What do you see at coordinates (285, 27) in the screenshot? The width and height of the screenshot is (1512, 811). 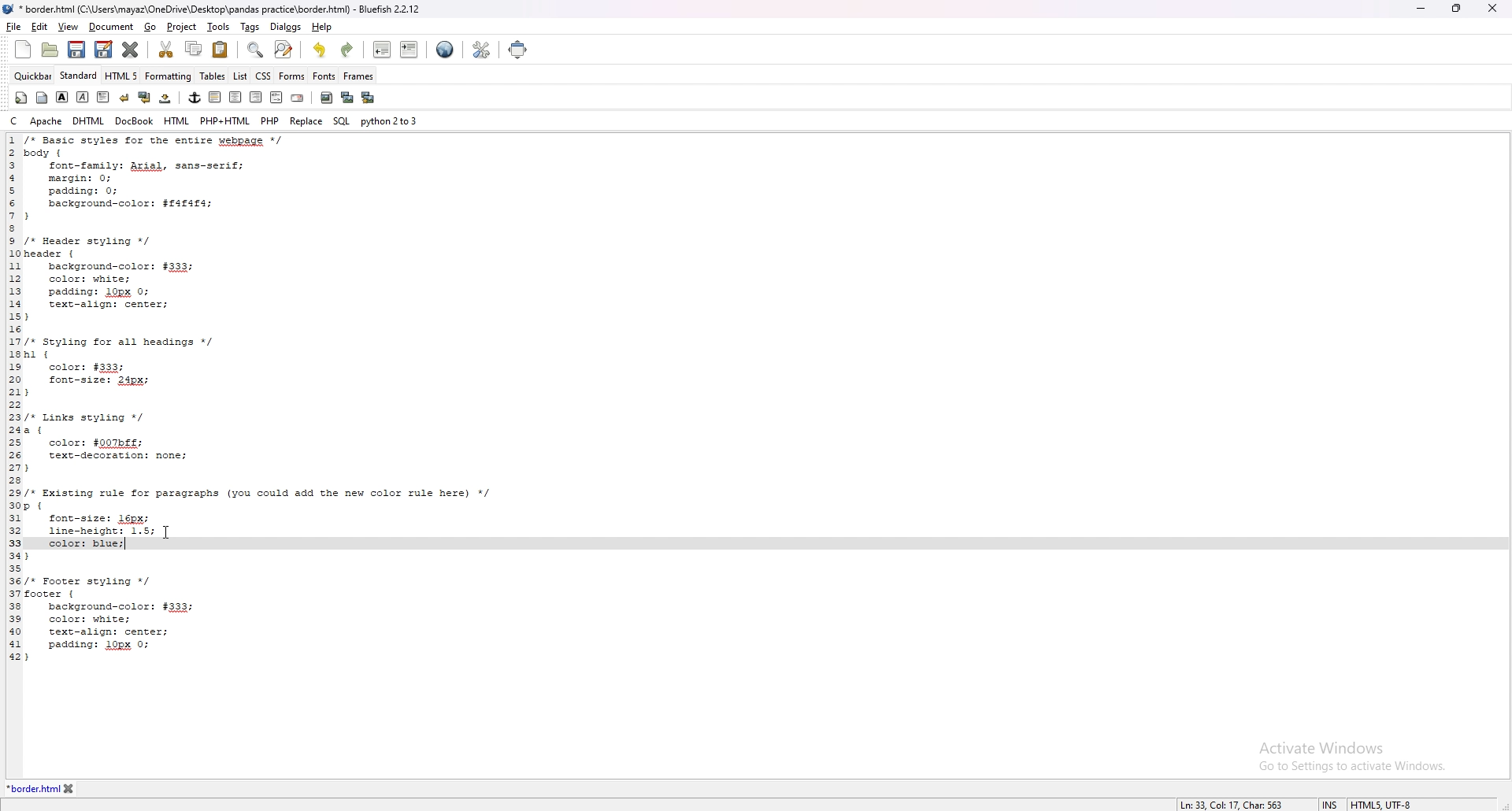 I see `dialogs` at bounding box center [285, 27].